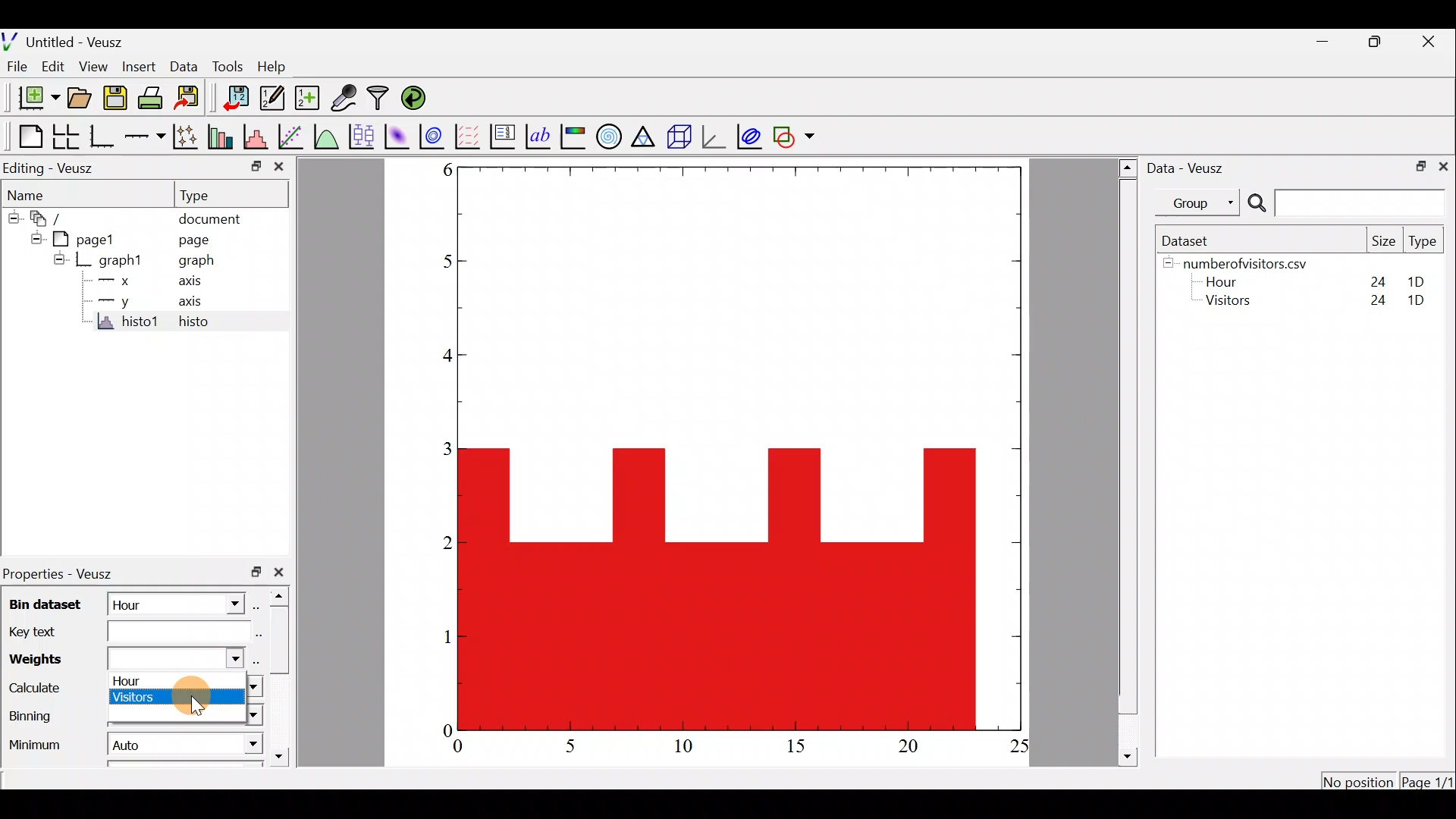  I want to click on Insert, so click(140, 66).